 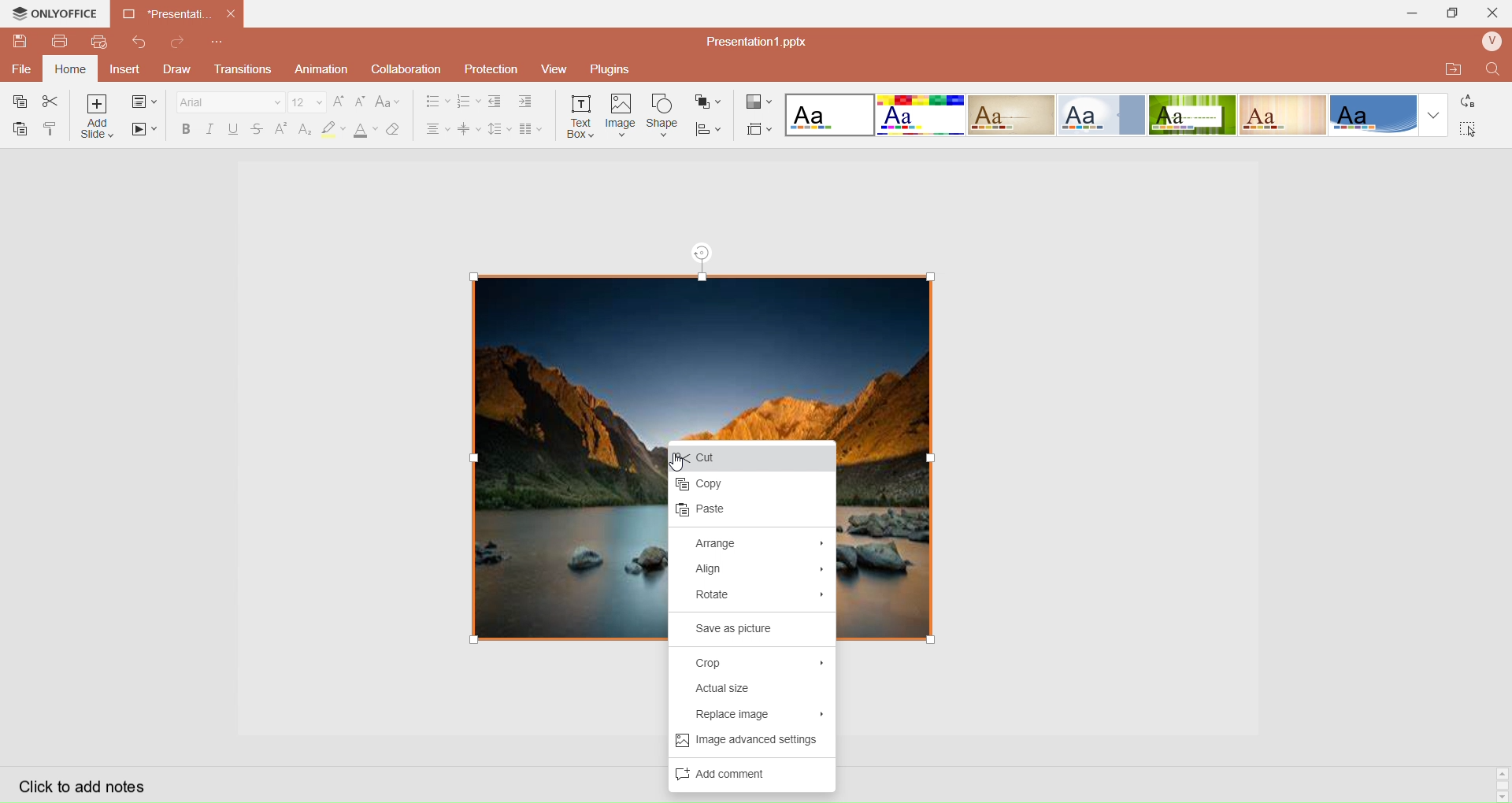 What do you see at coordinates (753, 663) in the screenshot?
I see `Crop` at bounding box center [753, 663].